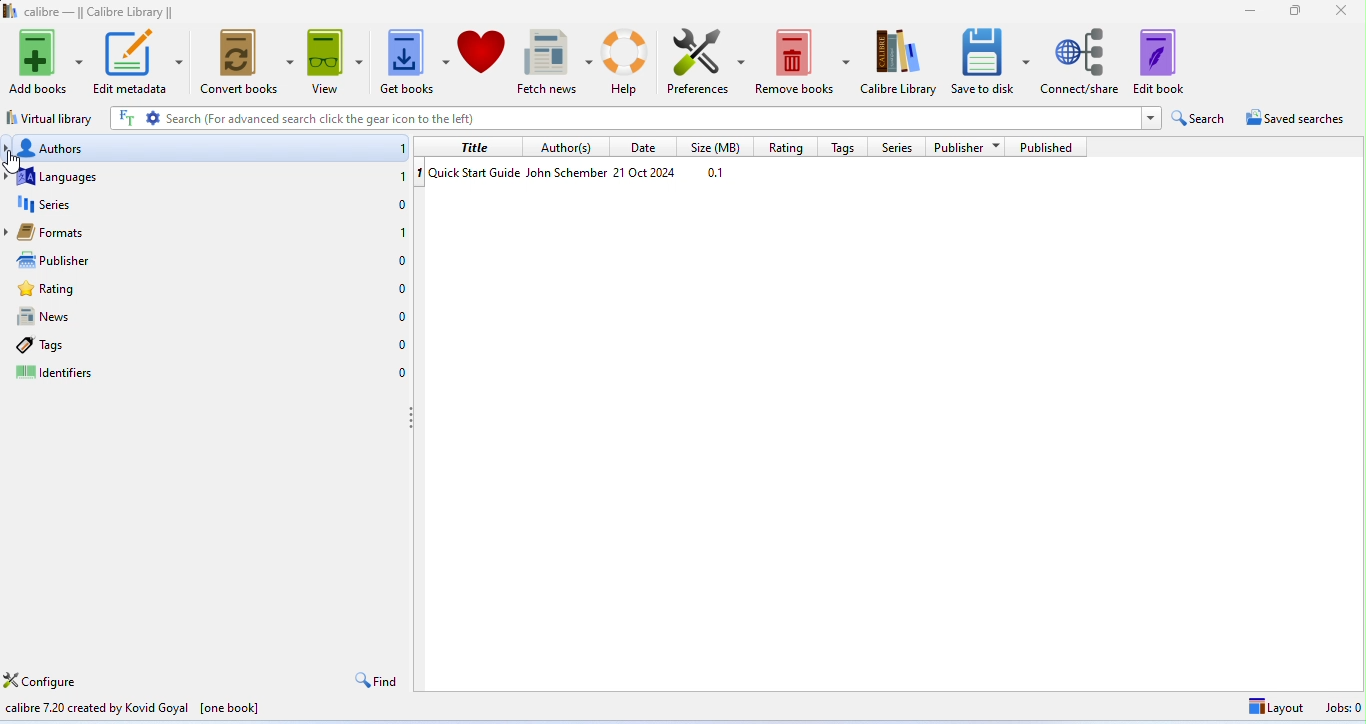 This screenshot has height=724, width=1366. Describe the element at coordinates (1199, 118) in the screenshot. I see `search` at that location.